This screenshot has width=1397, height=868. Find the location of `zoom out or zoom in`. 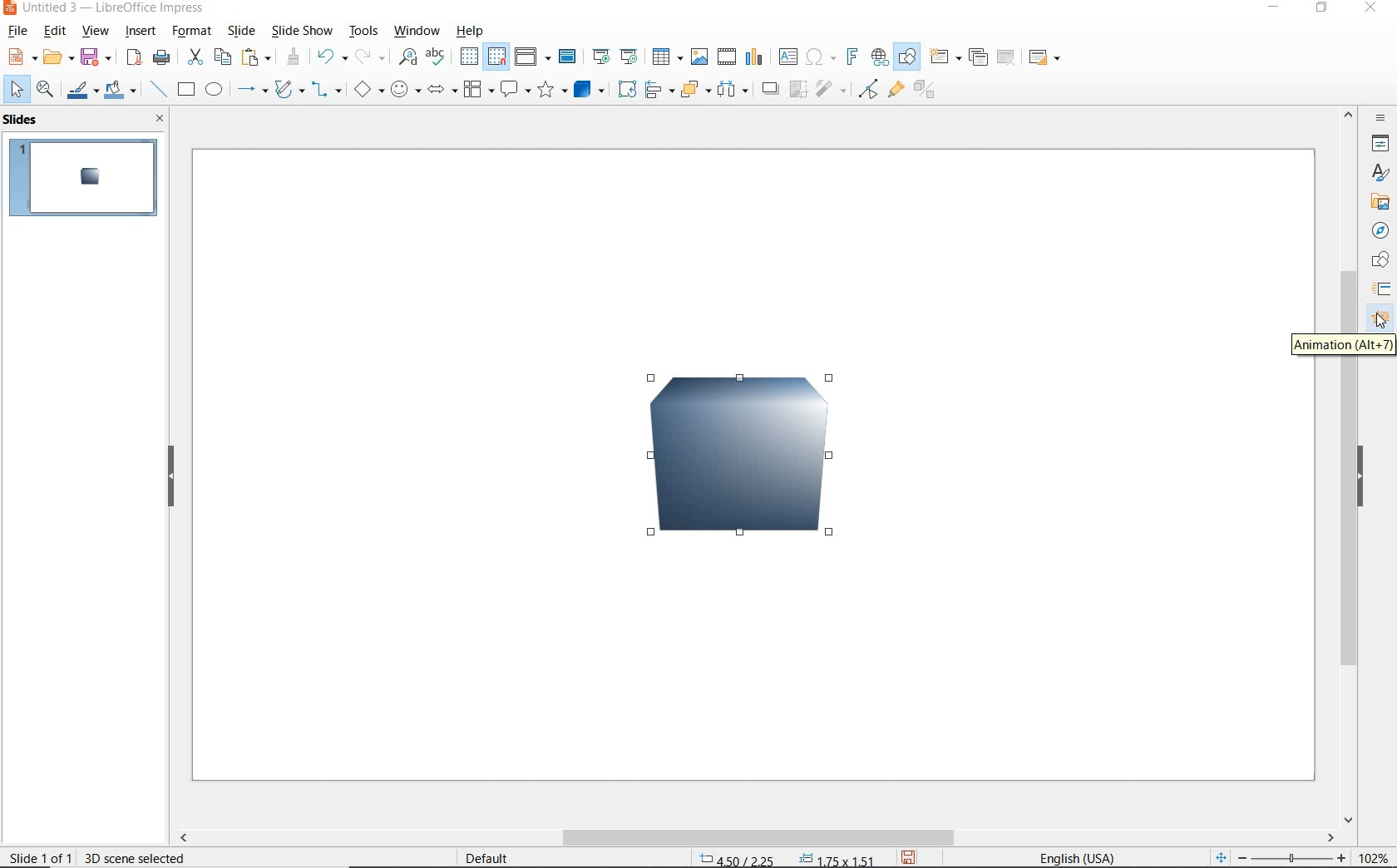

zoom out or zoom in is located at coordinates (1278, 856).